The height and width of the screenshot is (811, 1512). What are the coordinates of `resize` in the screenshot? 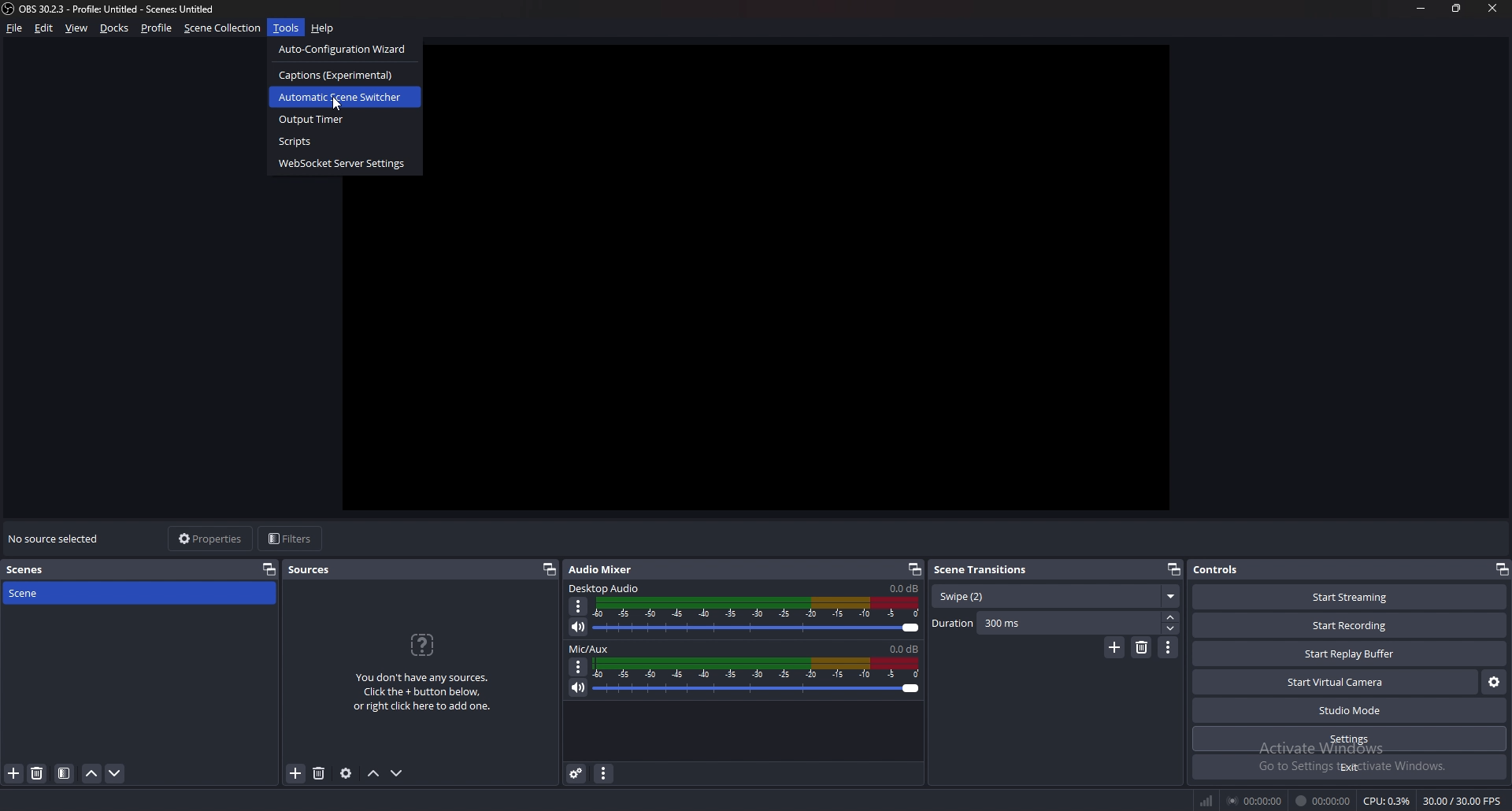 It's located at (1458, 8).